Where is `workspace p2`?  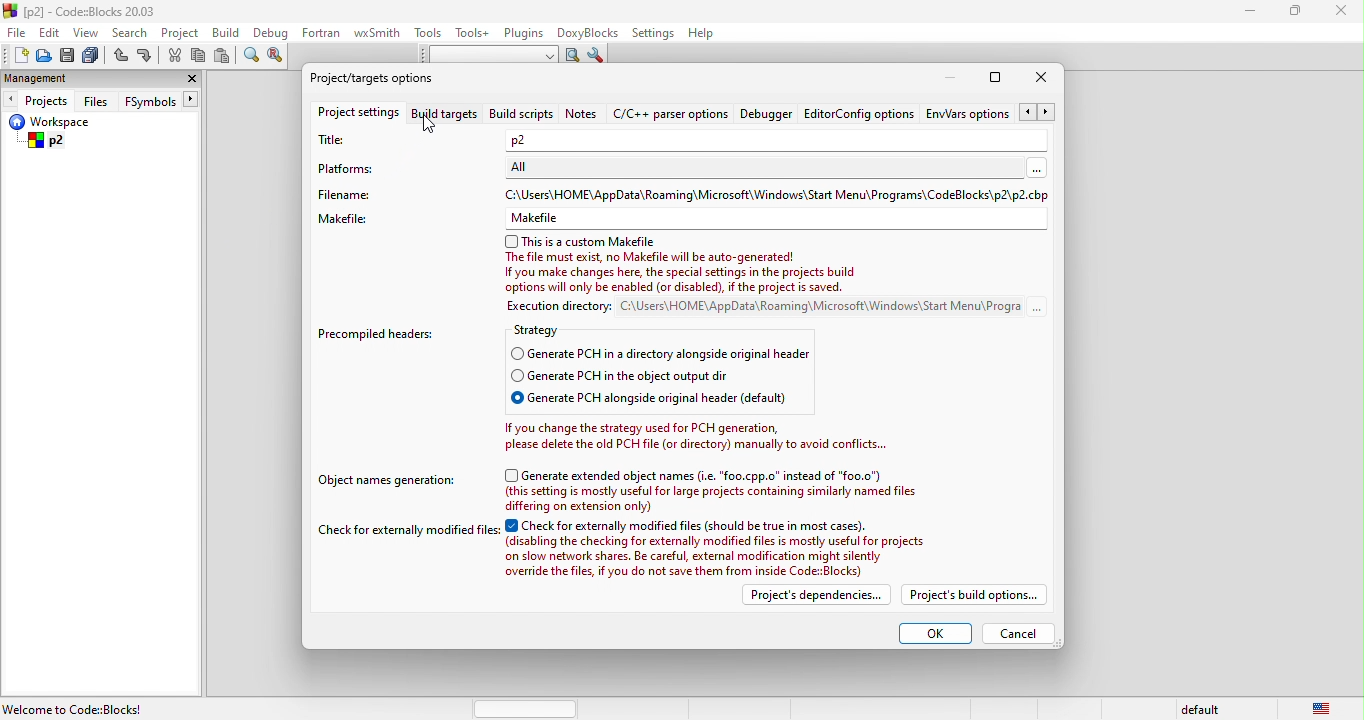 workspace p2 is located at coordinates (80, 133).